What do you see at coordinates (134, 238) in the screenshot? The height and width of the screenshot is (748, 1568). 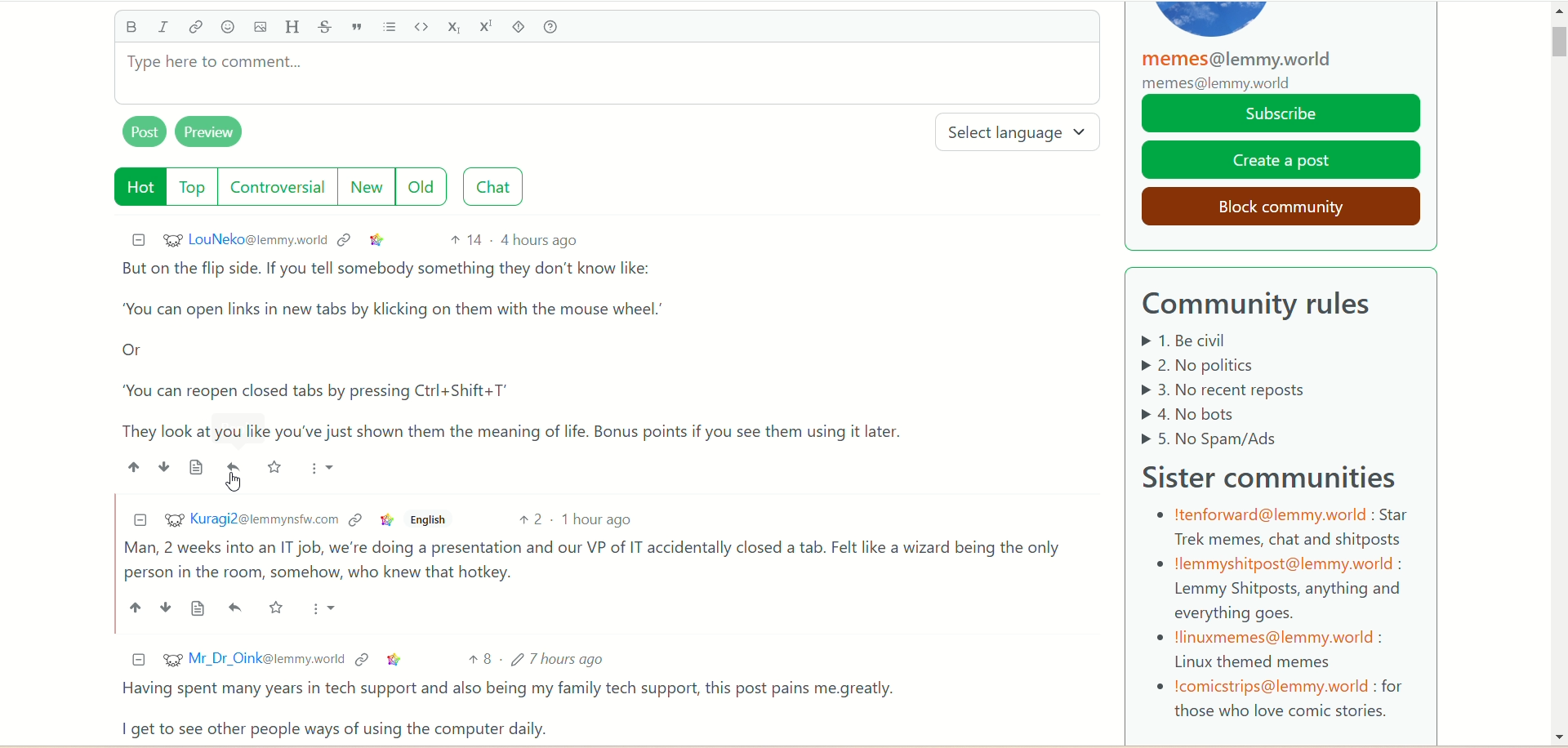 I see `minimize` at bounding box center [134, 238].